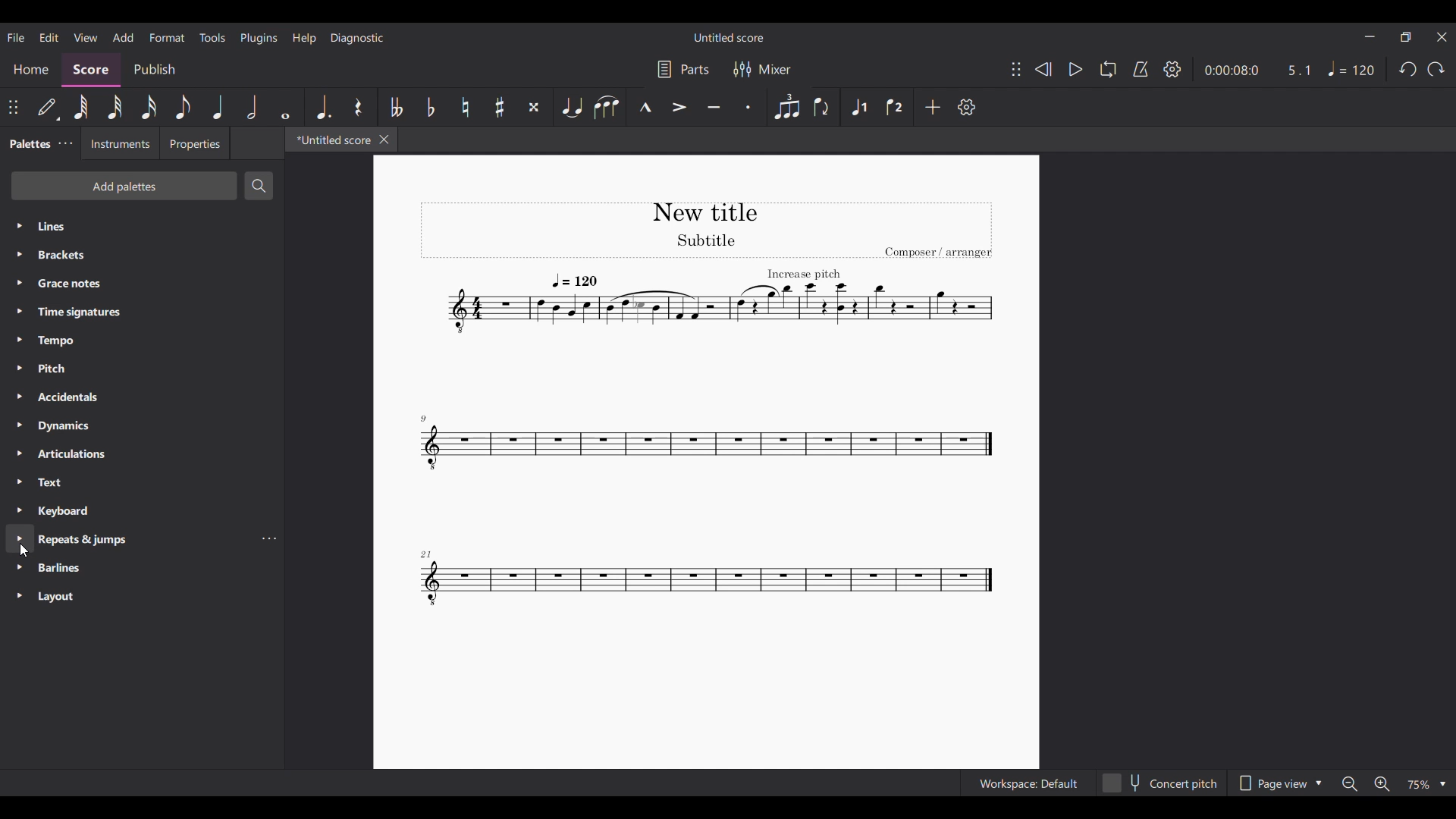 This screenshot has width=1456, height=819. I want to click on Redo, so click(1436, 69).